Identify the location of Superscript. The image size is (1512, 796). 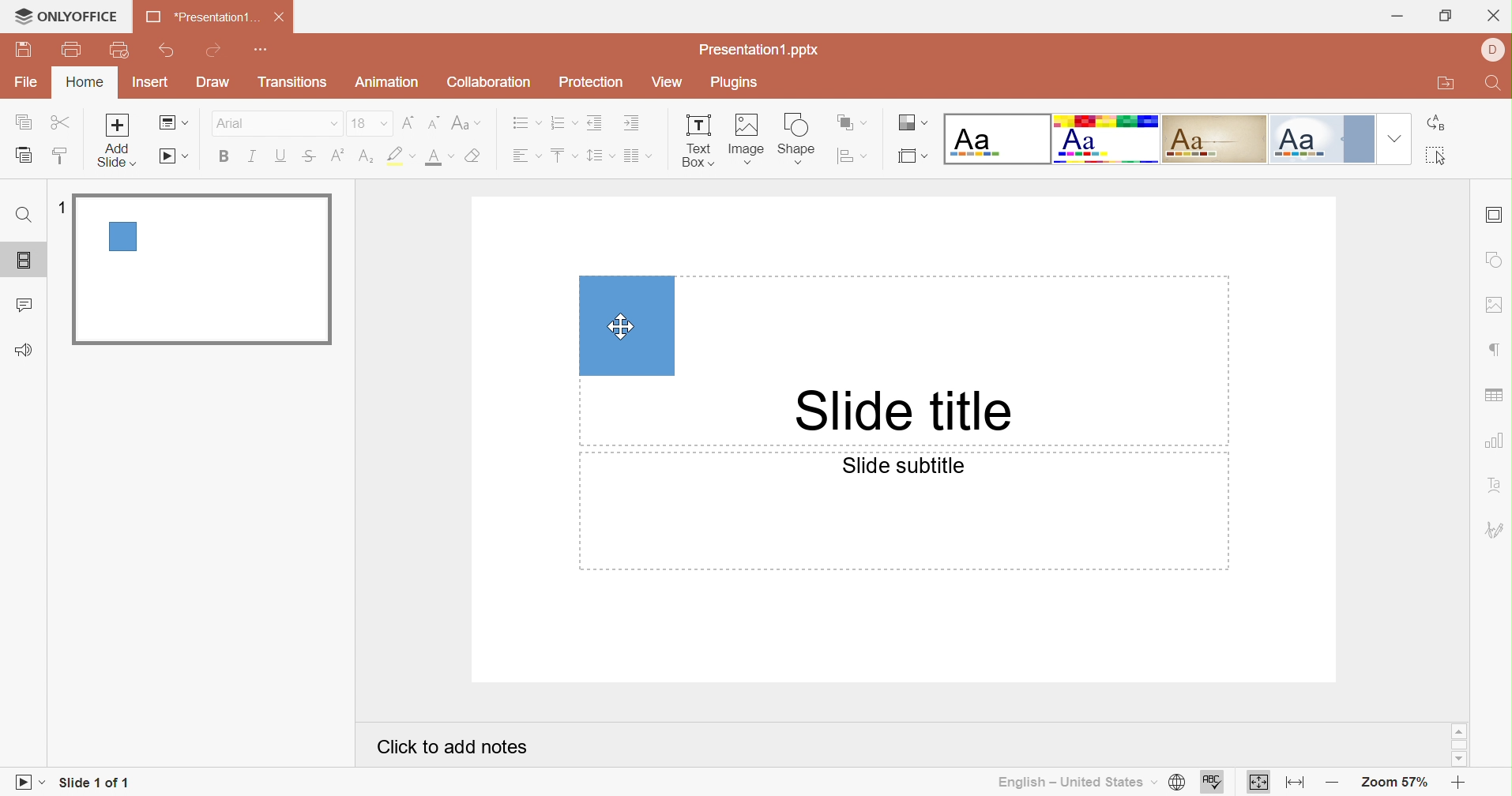
(336, 160).